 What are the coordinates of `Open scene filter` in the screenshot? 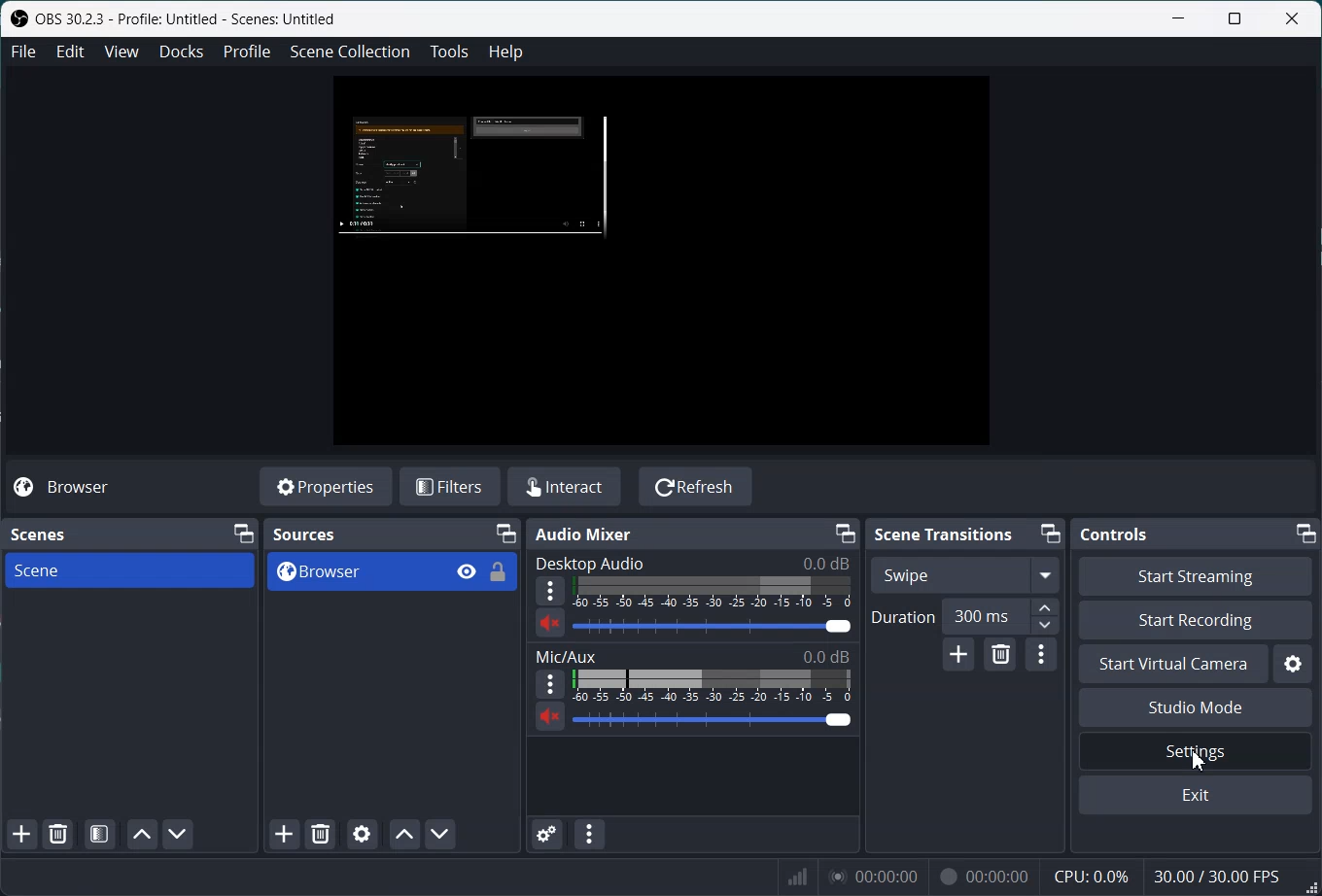 It's located at (100, 835).